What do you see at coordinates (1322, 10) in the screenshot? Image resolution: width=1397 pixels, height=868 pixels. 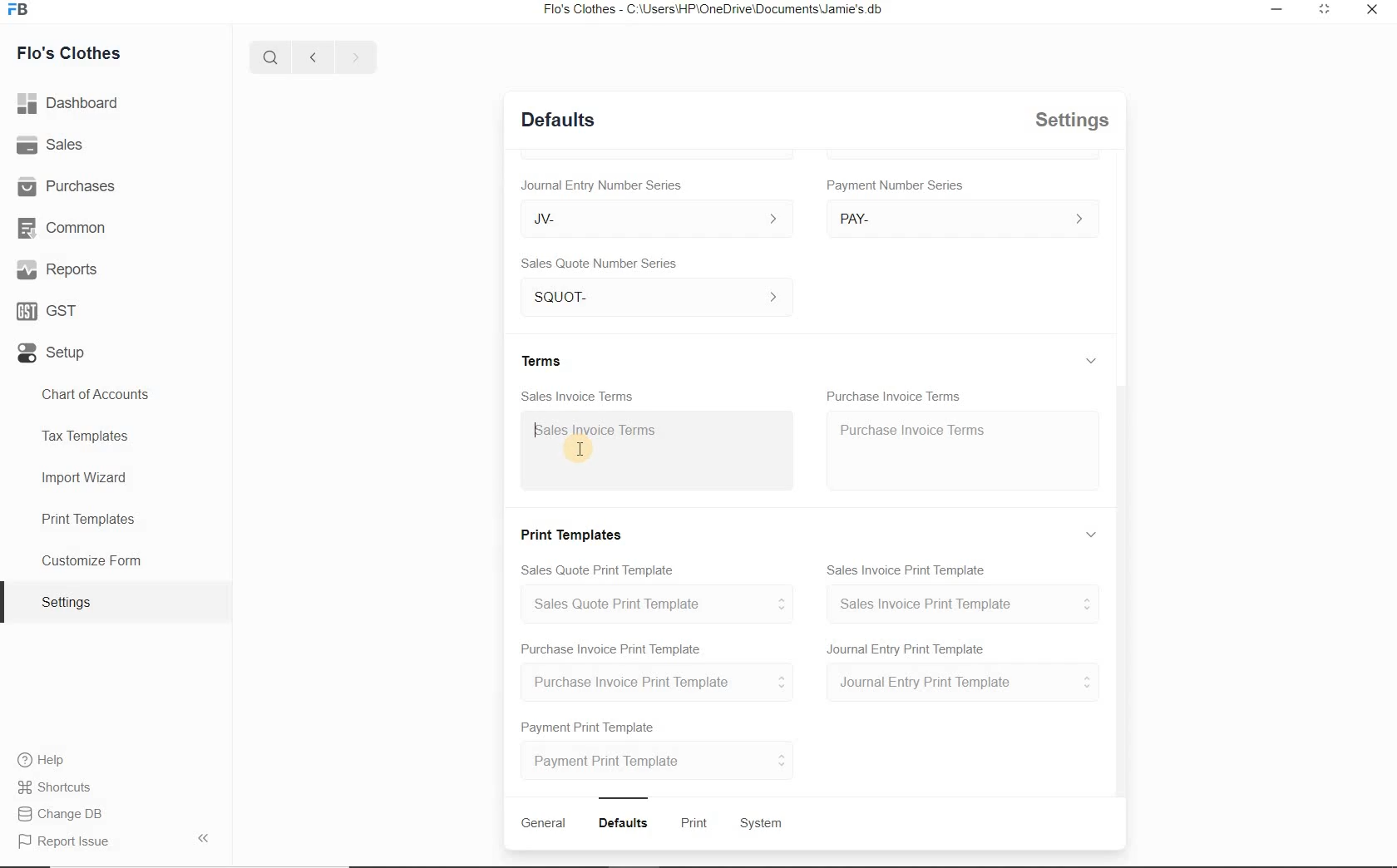 I see `Expand` at bounding box center [1322, 10].